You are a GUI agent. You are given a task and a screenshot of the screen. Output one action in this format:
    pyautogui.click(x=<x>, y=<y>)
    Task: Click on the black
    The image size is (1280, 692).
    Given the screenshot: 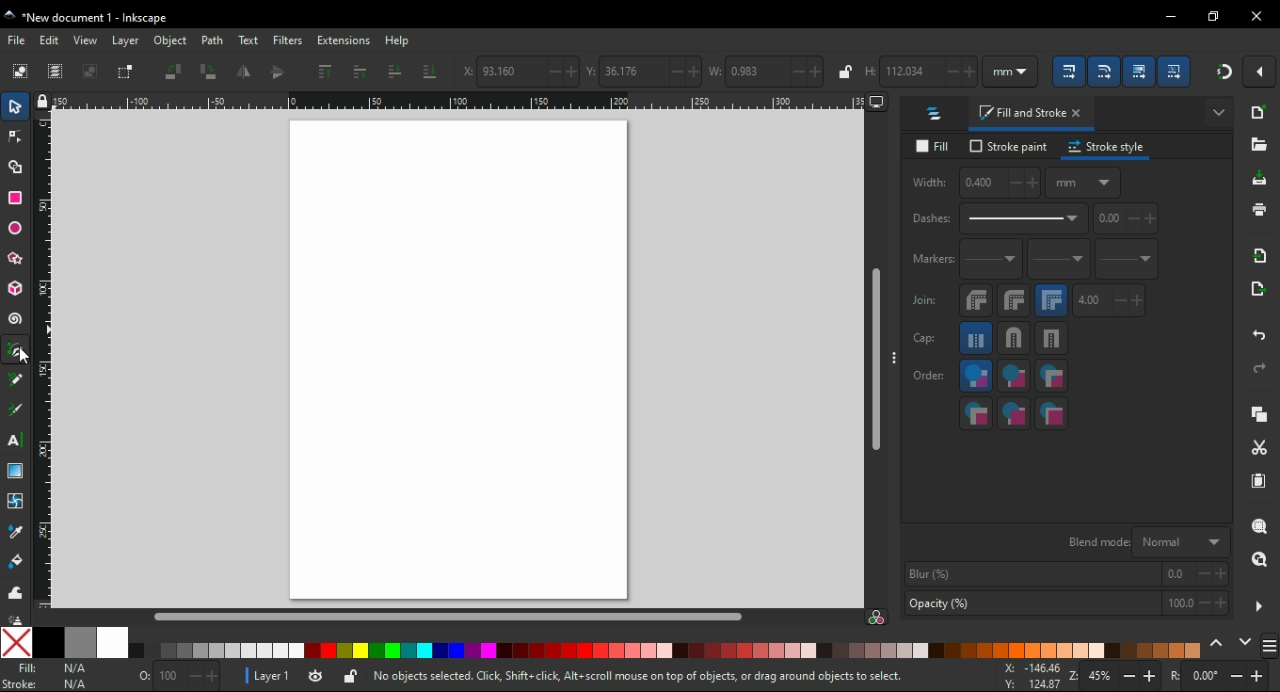 What is the action you would take?
    pyautogui.click(x=47, y=642)
    